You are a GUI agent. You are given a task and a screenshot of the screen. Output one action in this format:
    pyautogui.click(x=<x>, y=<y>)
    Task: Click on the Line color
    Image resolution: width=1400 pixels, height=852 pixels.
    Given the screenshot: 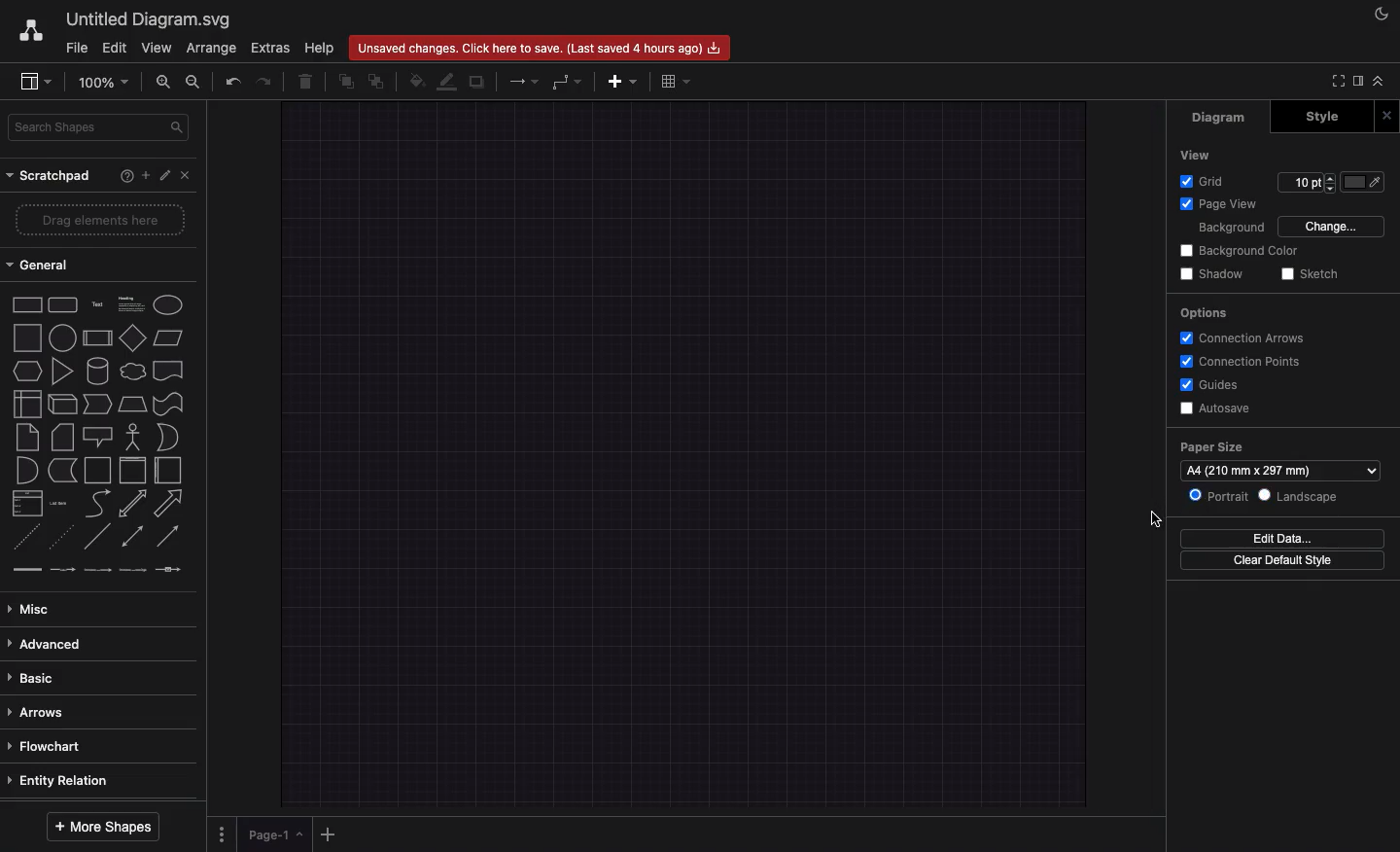 What is the action you would take?
    pyautogui.click(x=445, y=84)
    